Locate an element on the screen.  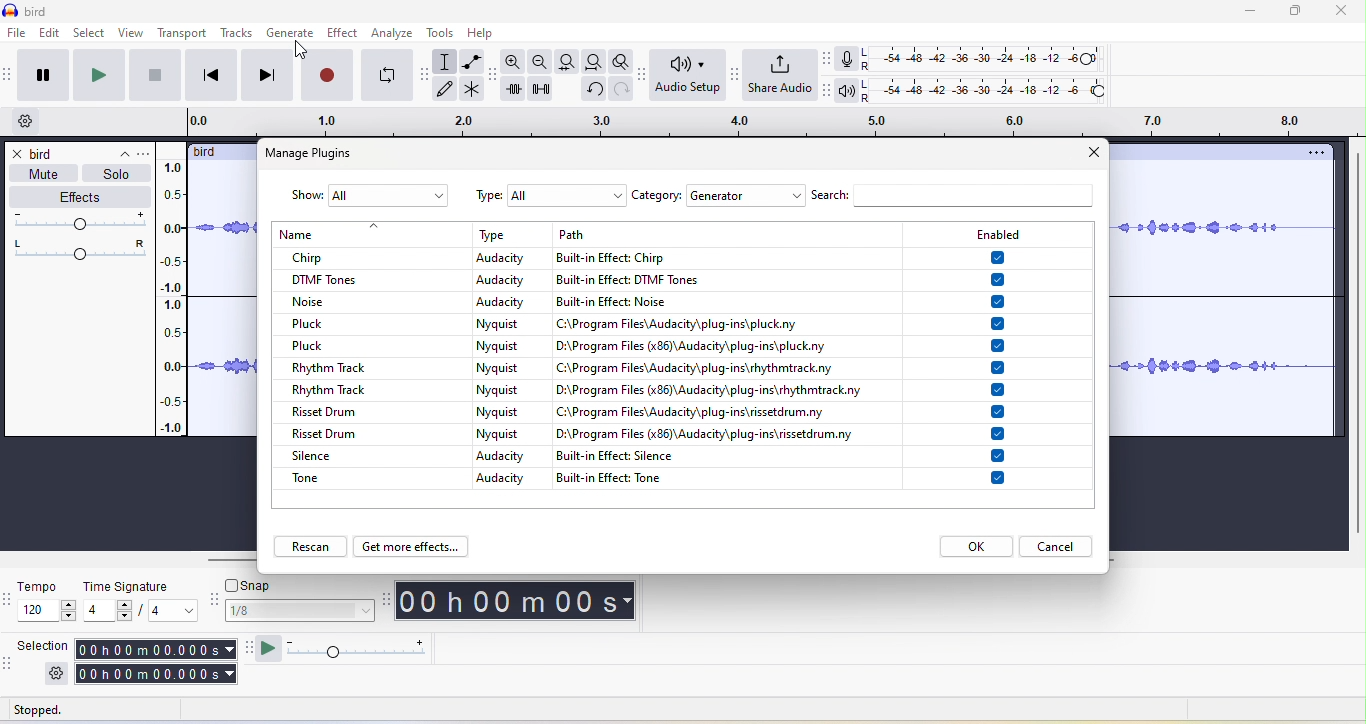
type is located at coordinates (508, 232).